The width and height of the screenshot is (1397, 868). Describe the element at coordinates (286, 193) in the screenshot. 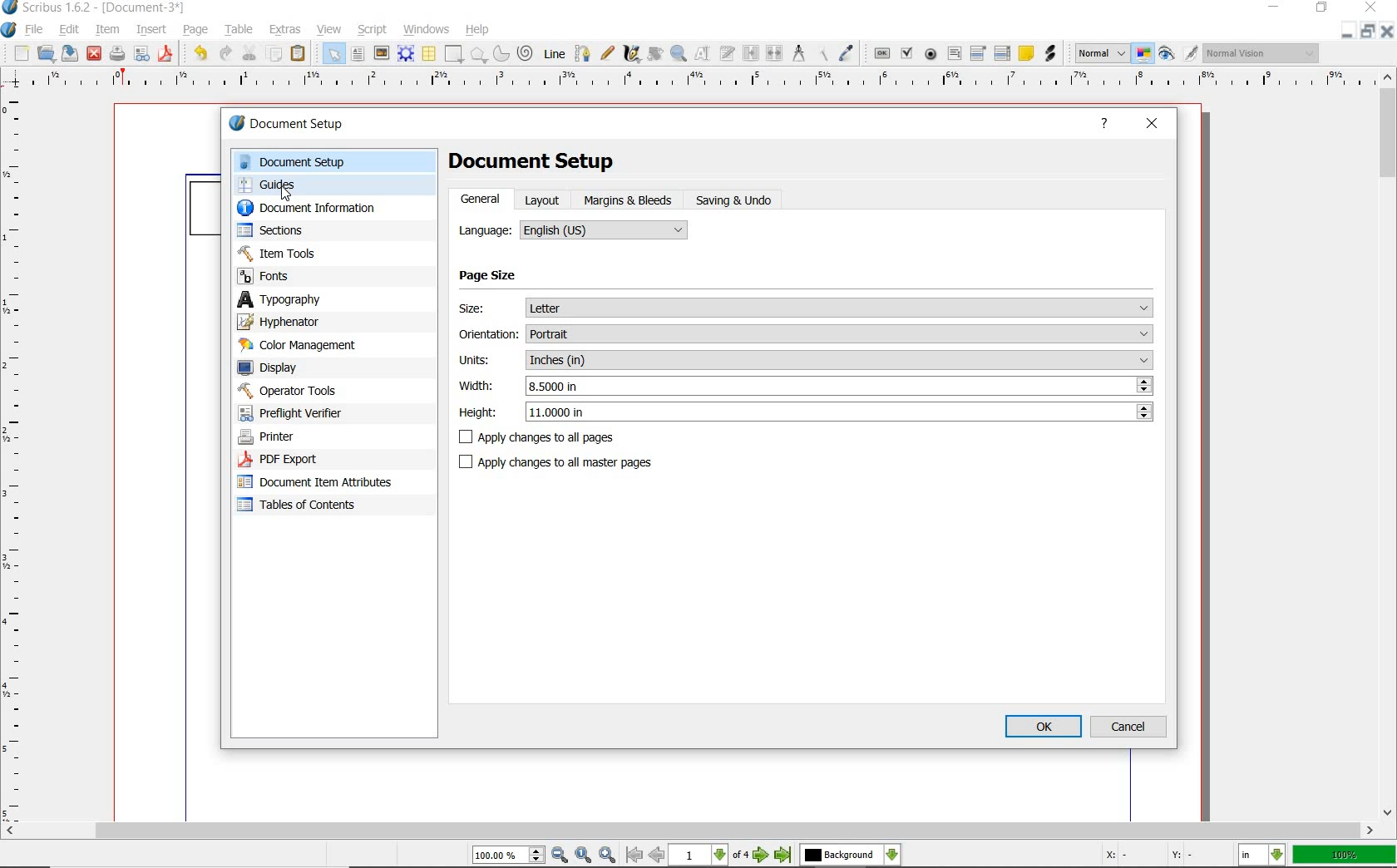

I see `Cursor` at that location.